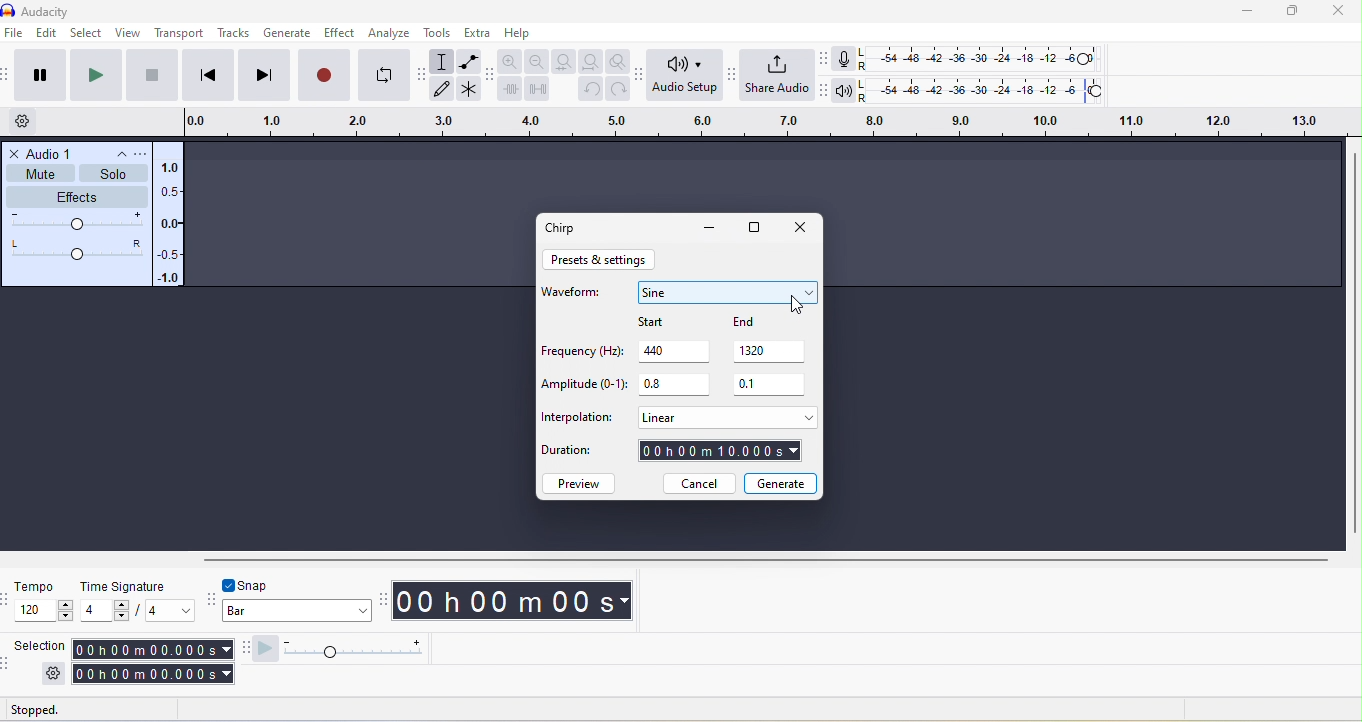 The image size is (1362, 722). What do you see at coordinates (9, 662) in the screenshot?
I see `audacity selection toolbar` at bounding box center [9, 662].